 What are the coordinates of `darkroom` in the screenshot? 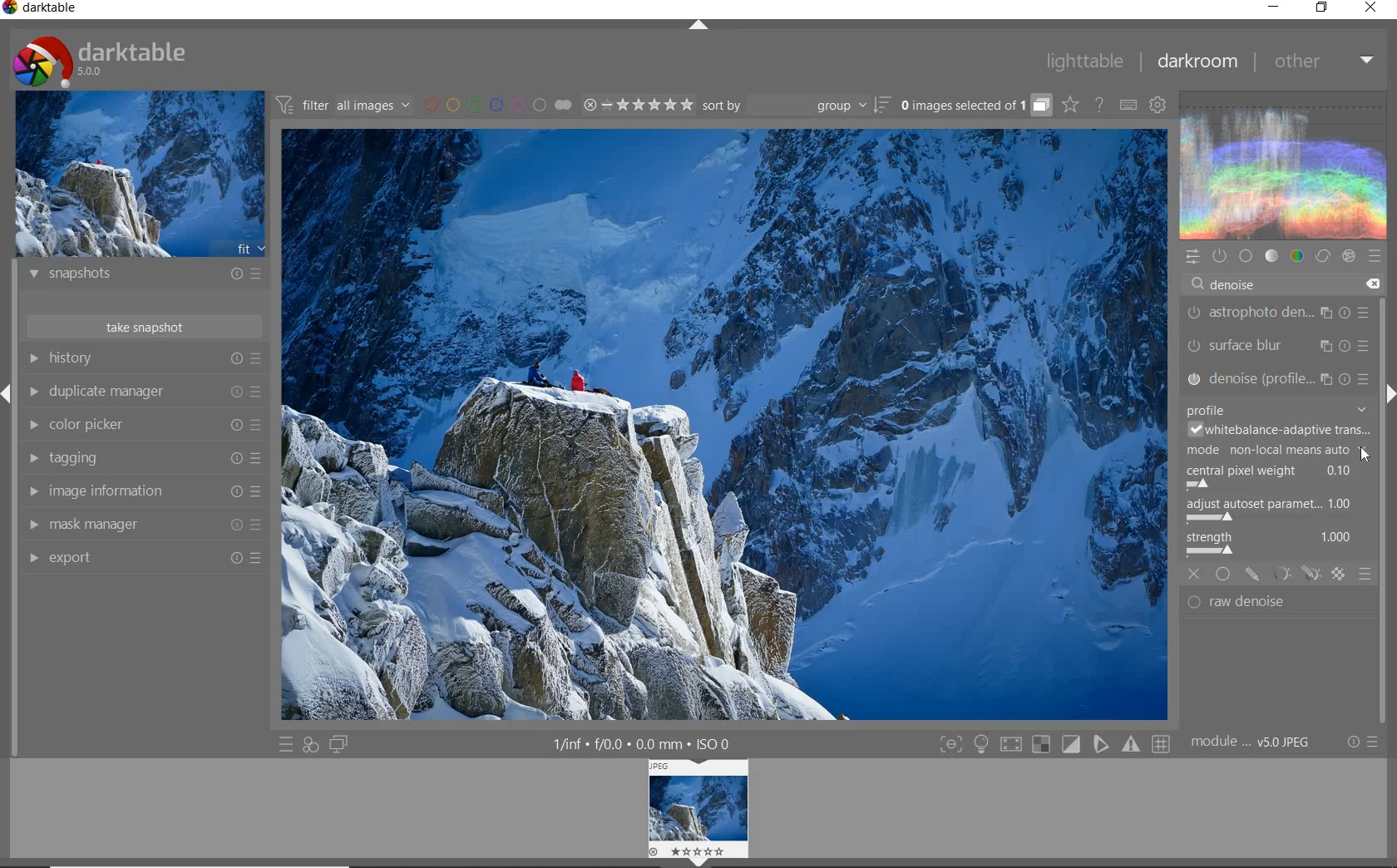 It's located at (1197, 62).